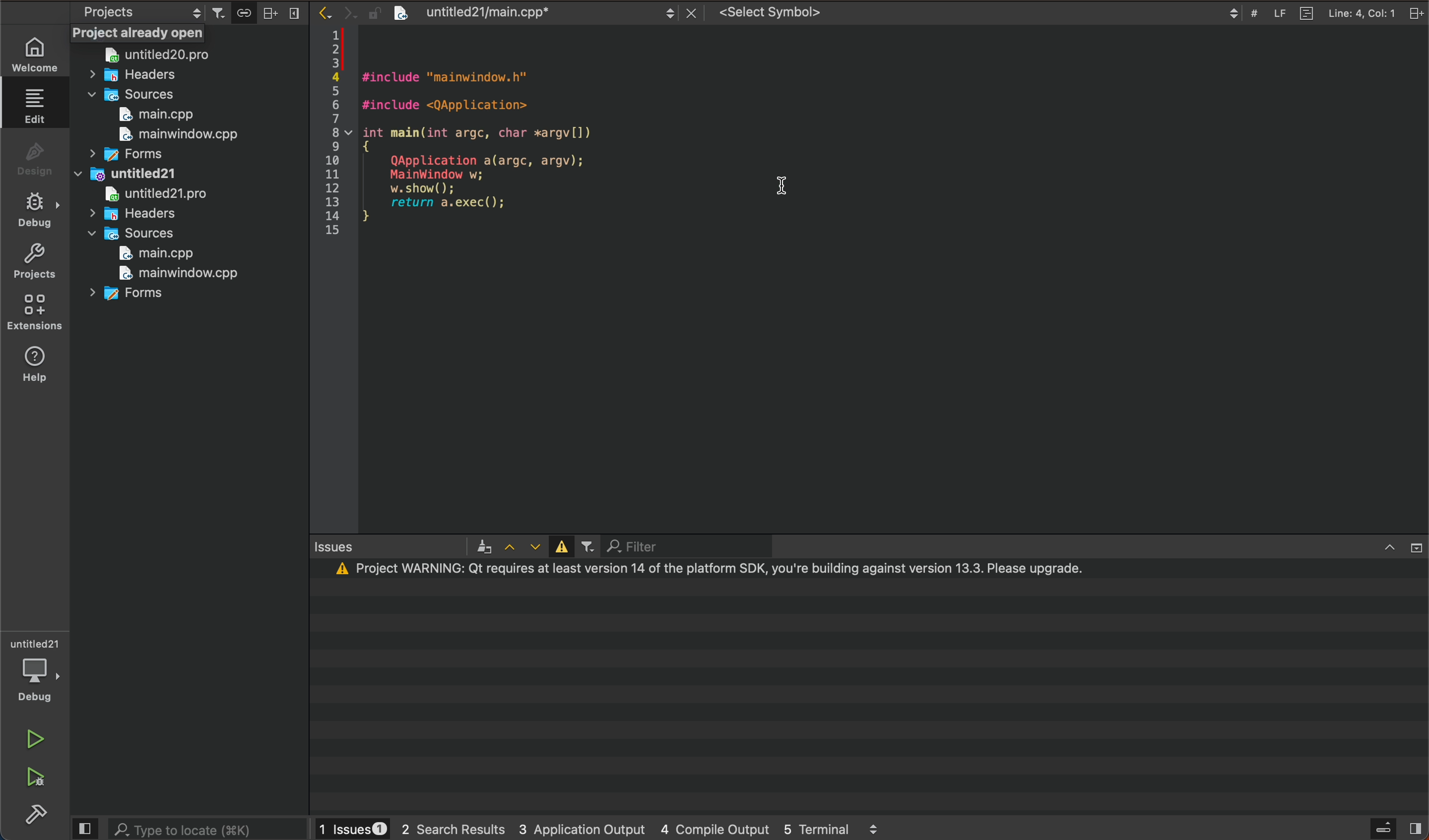 The height and width of the screenshot is (840, 1429). Describe the element at coordinates (1276, 12) in the screenshot. I see `Line feed` at that location.